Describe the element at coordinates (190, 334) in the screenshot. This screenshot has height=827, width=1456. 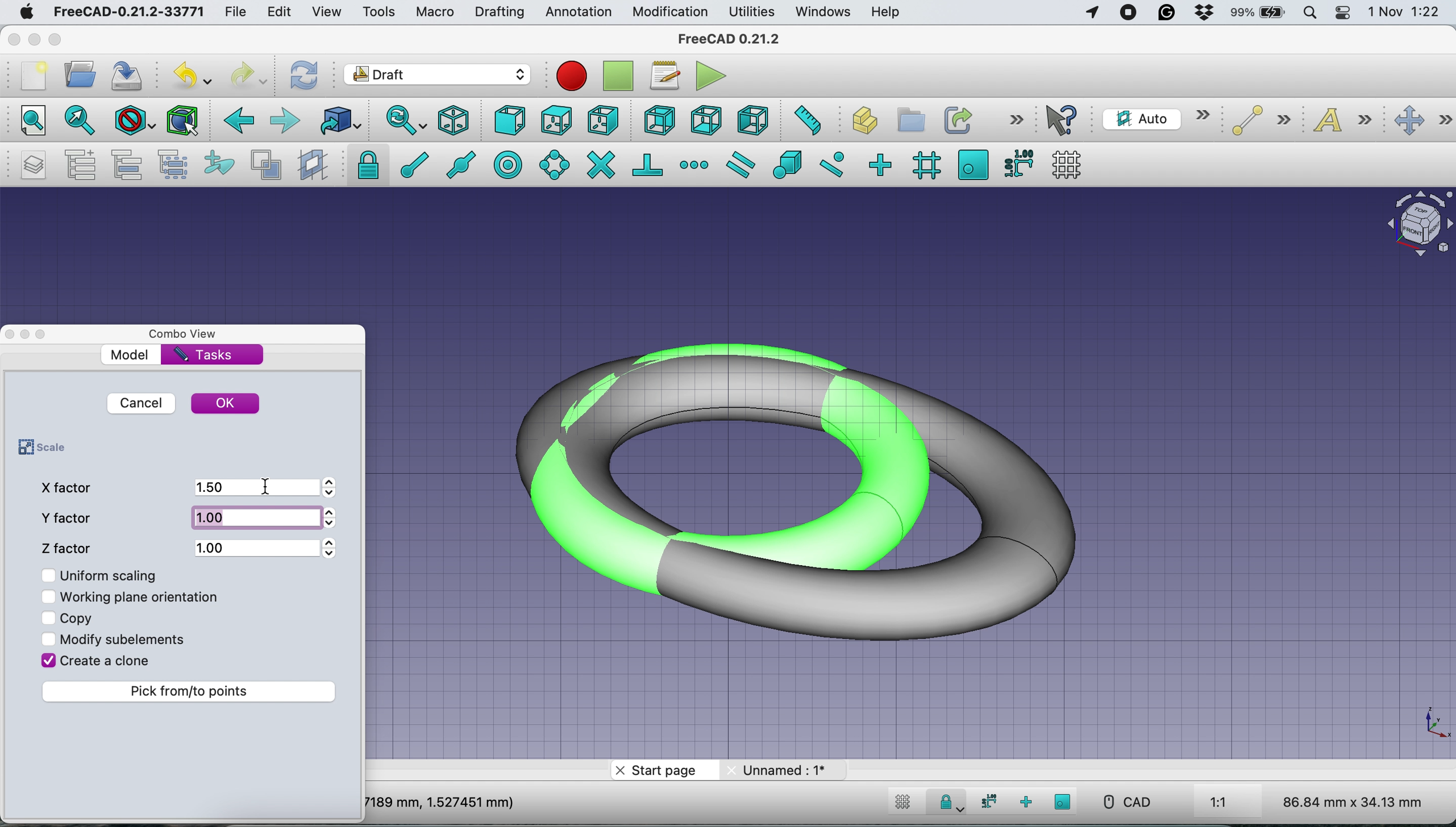
I see `combo view` at that location.